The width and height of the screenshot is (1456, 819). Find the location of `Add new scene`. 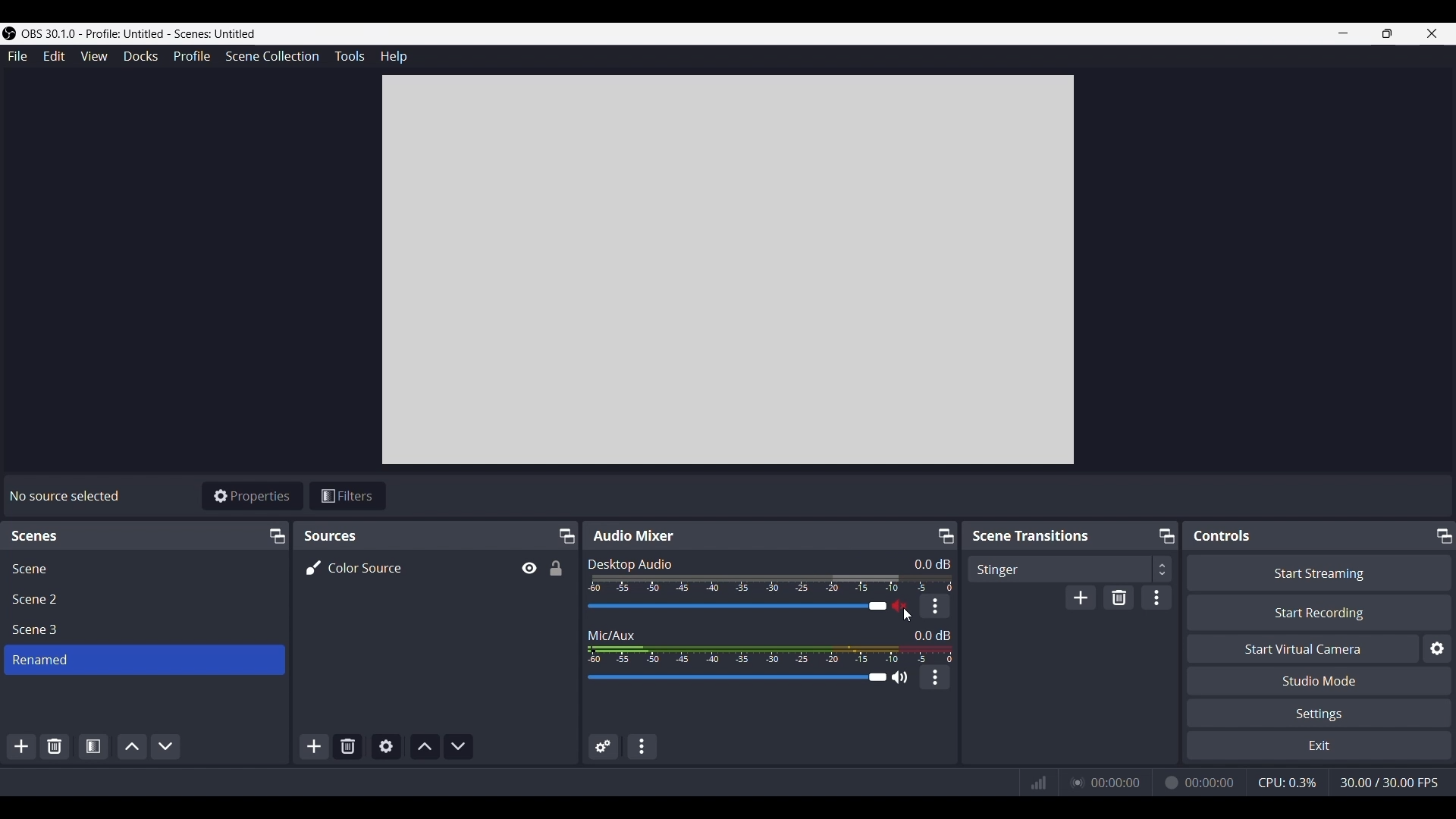

Add new scene is located at coordinates (20, 747).